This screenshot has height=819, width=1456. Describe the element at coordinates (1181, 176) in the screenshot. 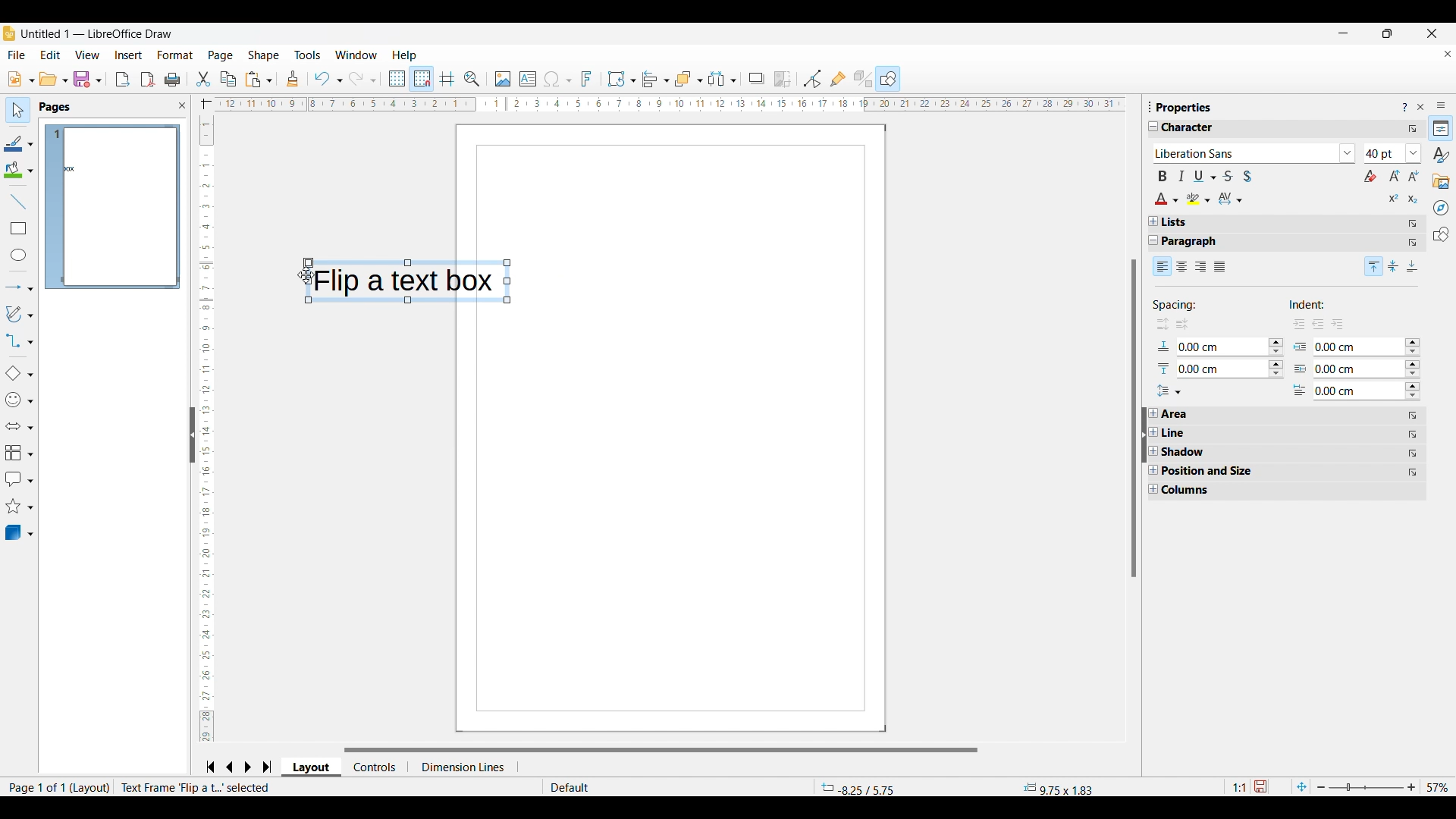

I see `Italics` at that location.